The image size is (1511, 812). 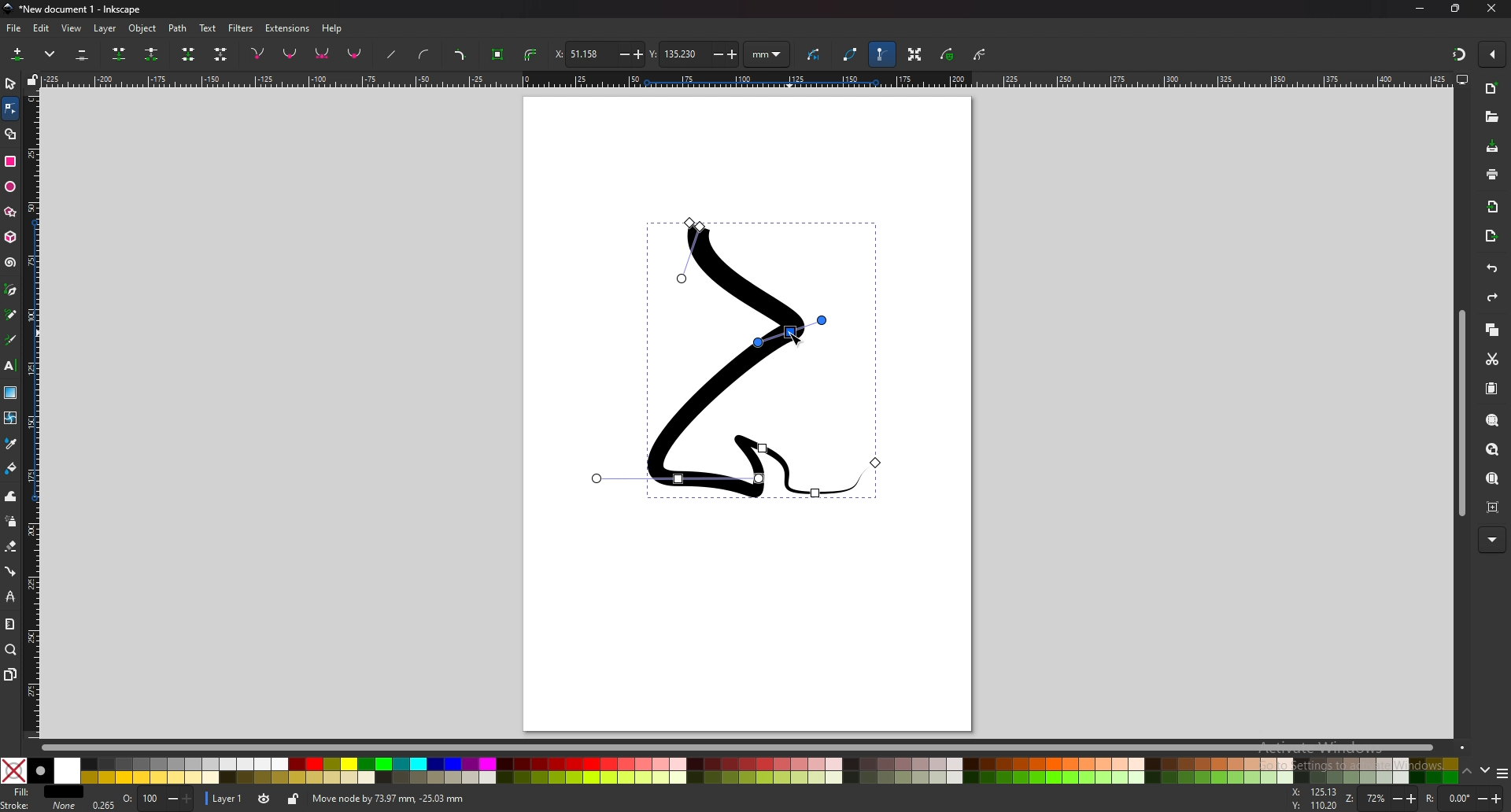 What do you see at coordinates (11, 571) in the screenshot?
I see `connector` at bounding box center [11, 571].